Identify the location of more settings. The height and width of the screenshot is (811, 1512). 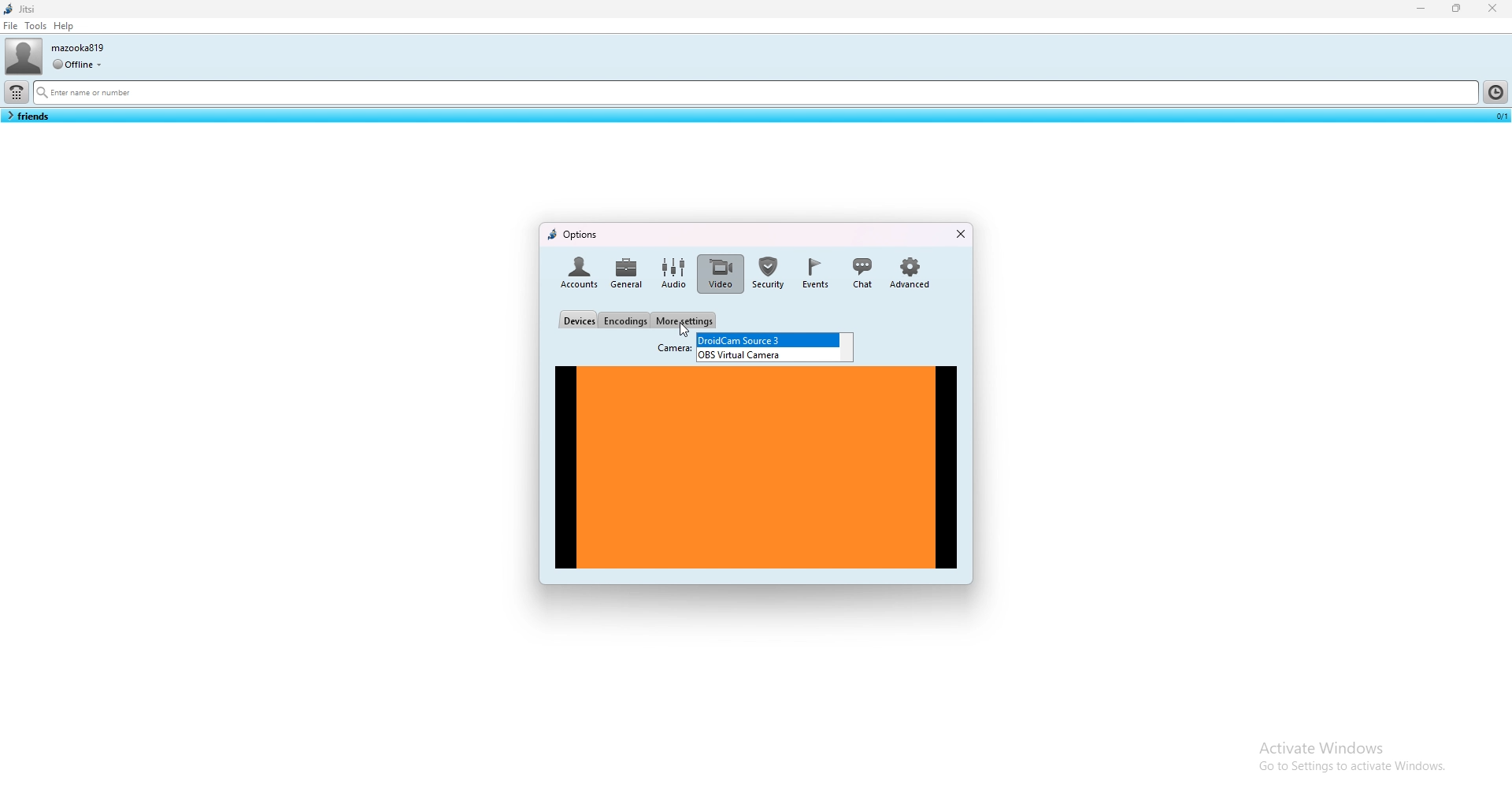
(684, 320).